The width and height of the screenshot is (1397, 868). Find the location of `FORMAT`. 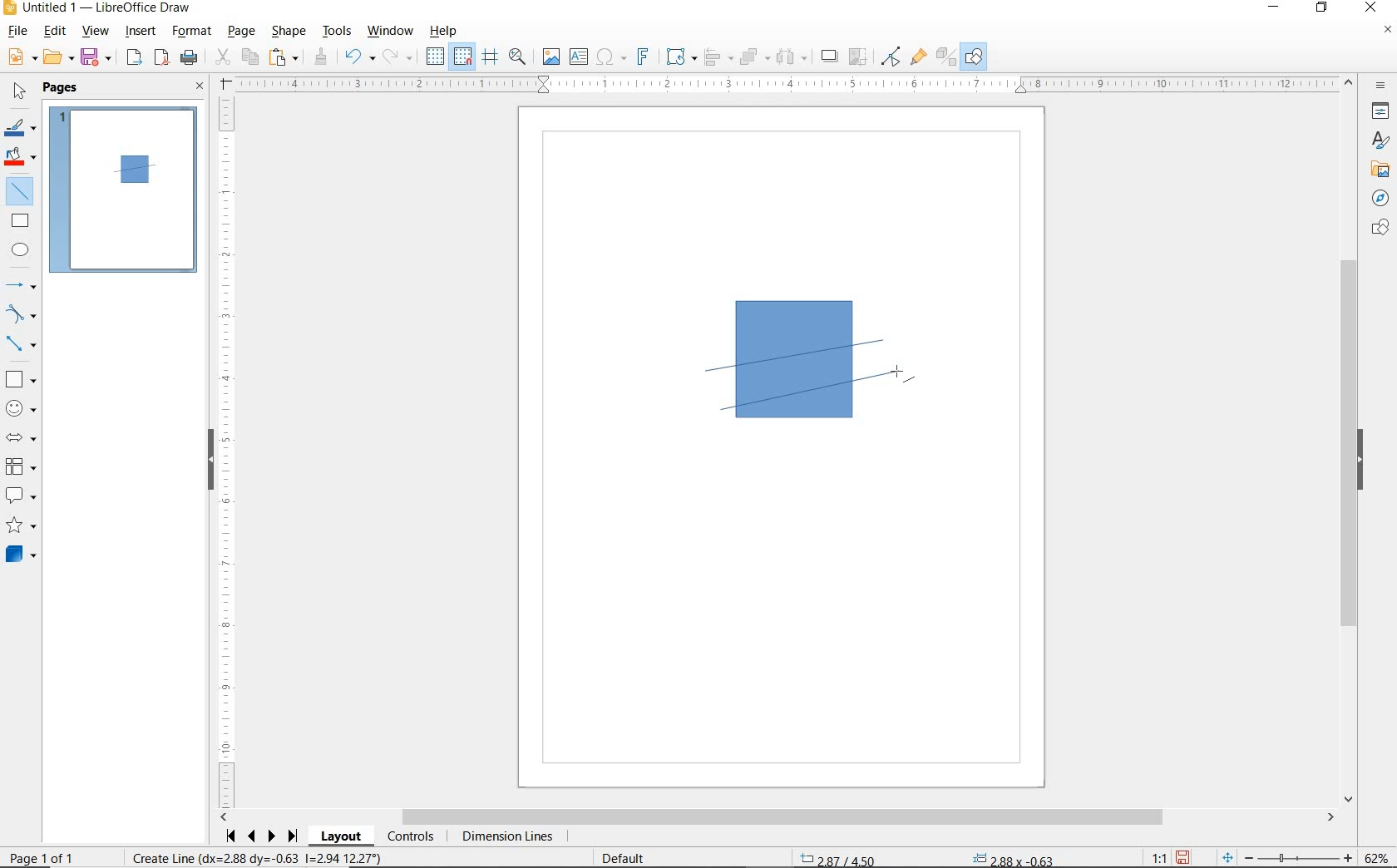

FORMAT is located at coordinates (192, 32).